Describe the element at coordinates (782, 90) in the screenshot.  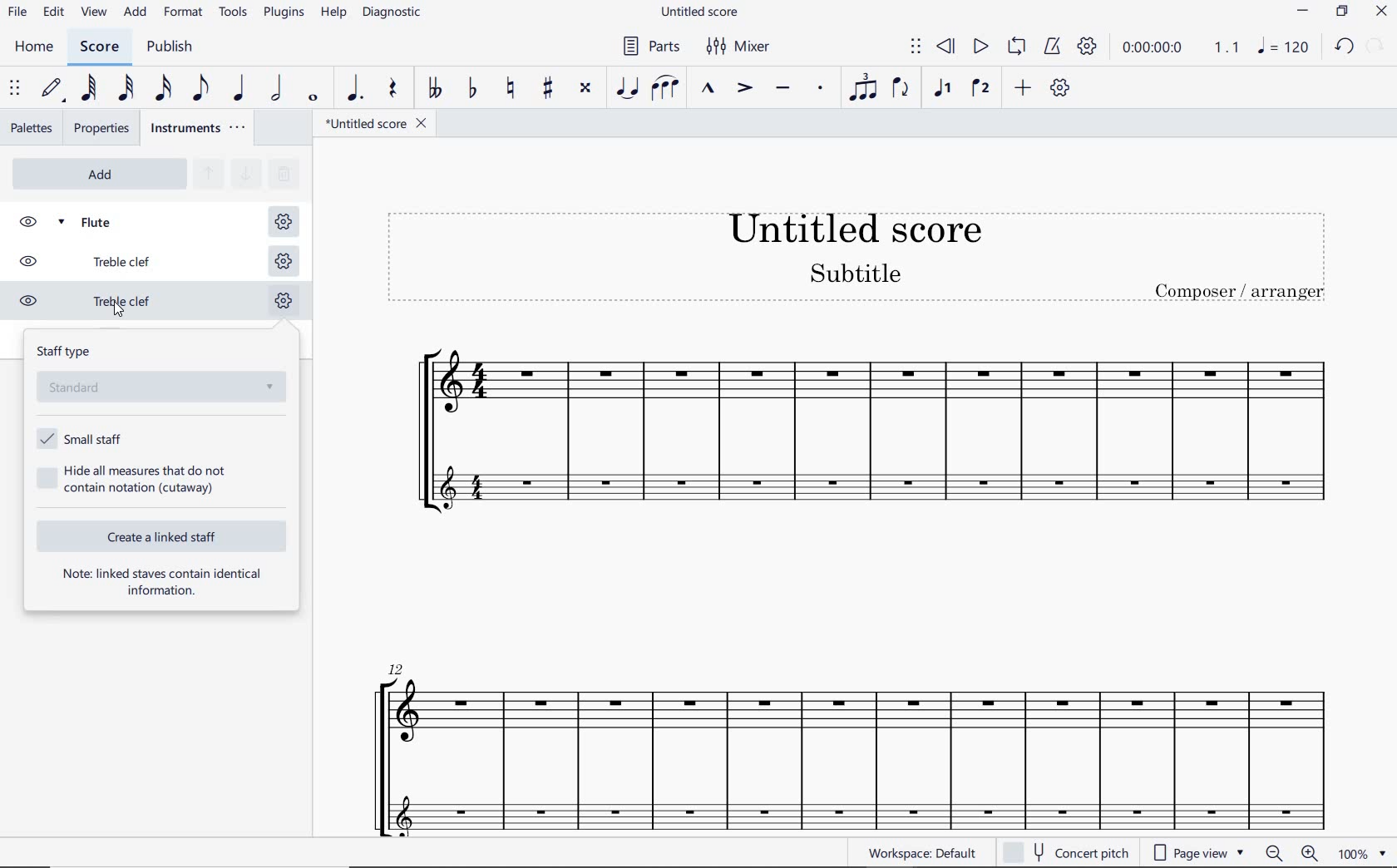
I see `TENUTO` at that location.